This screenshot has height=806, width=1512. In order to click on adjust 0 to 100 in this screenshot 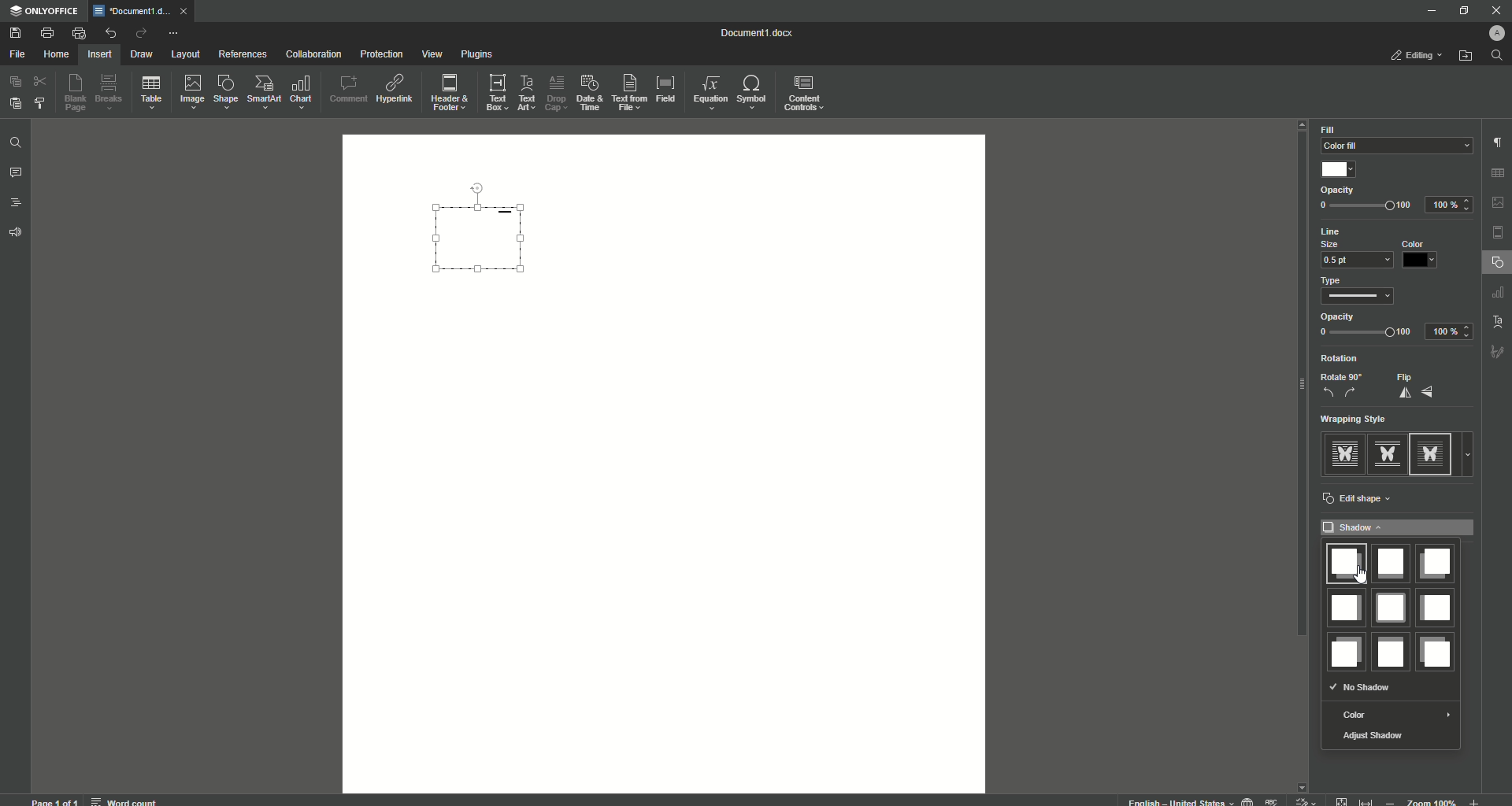, I will do `click(1366, 207)`.